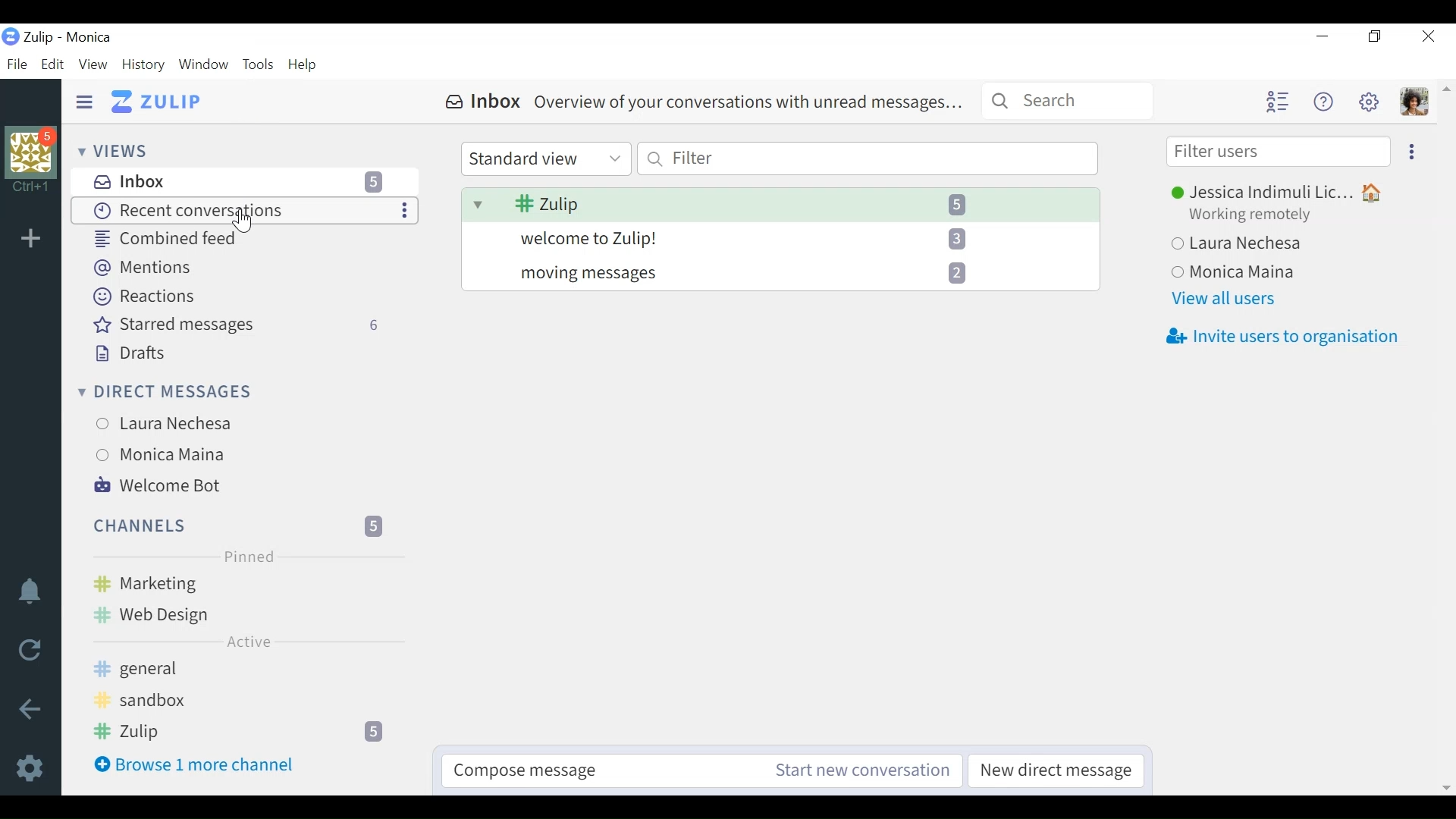 This screenshot has width=1456, height=819. What do you see at coordinates (1285, 190) in the screenshot?
I see `Jessica Indimuli Lic...` at bounding box center [1285, 190].